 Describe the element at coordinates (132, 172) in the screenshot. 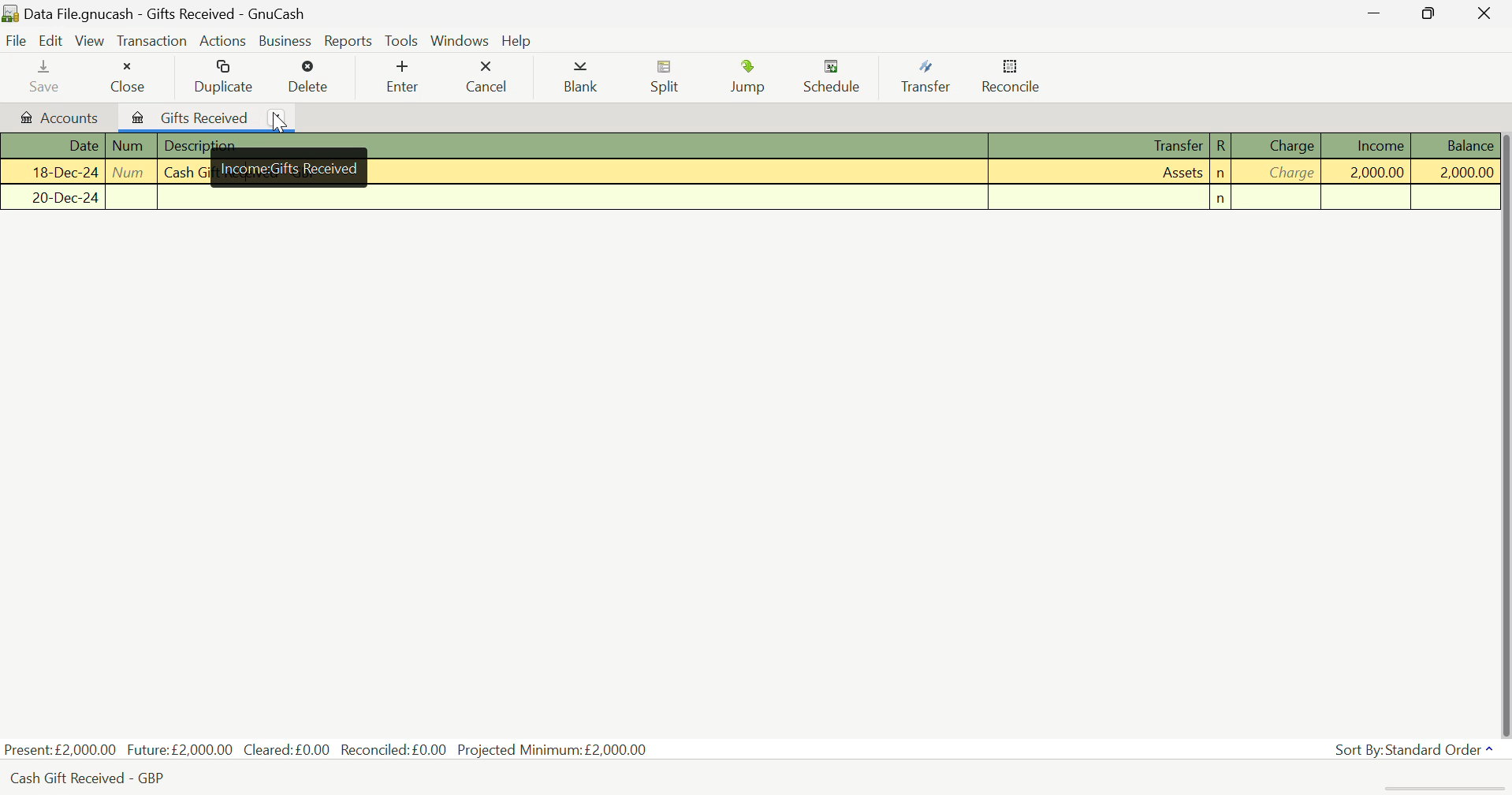

I see `Num` at that location.